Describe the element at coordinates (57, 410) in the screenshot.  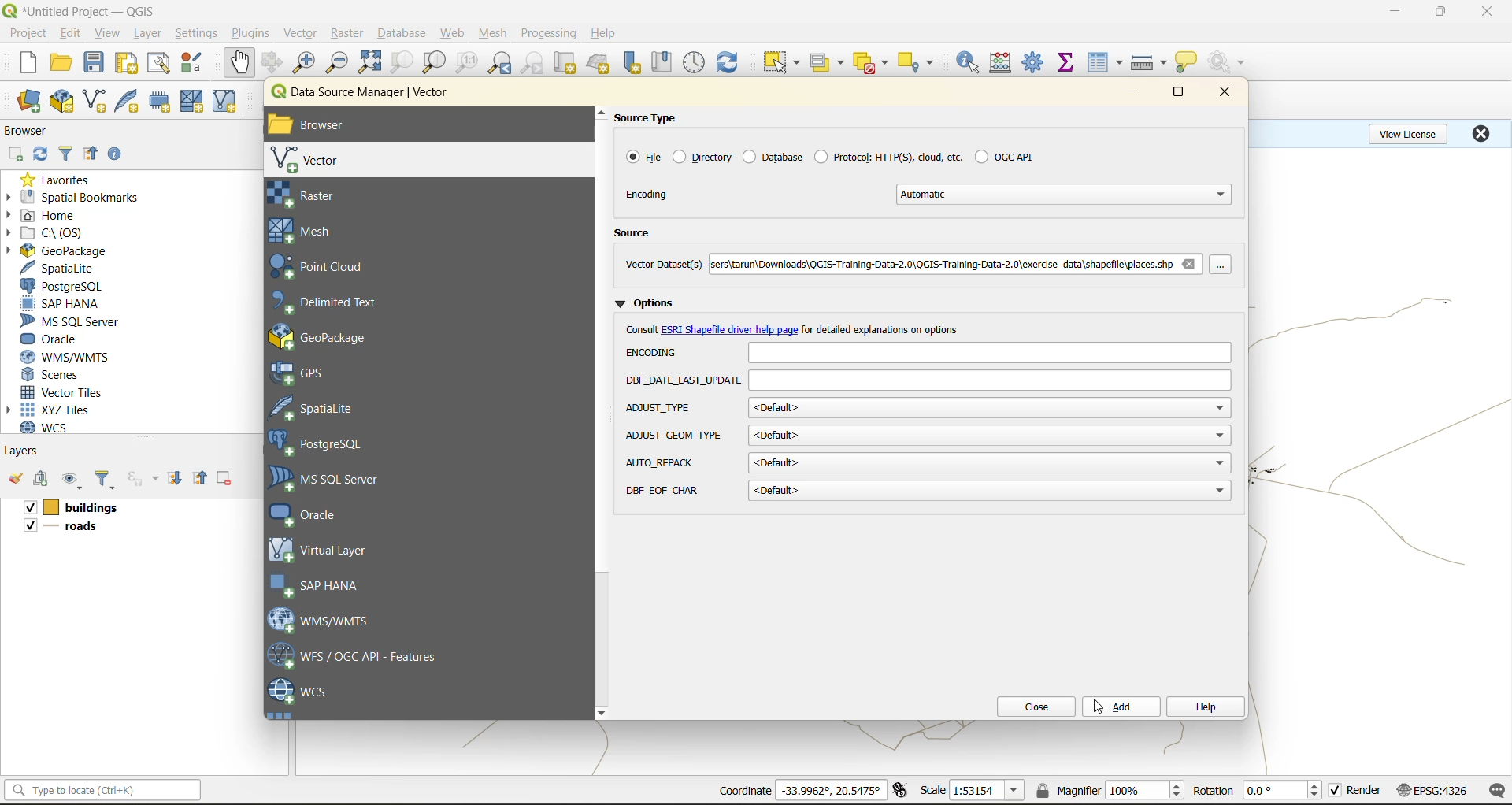
I see `xyz tiles` at that location.